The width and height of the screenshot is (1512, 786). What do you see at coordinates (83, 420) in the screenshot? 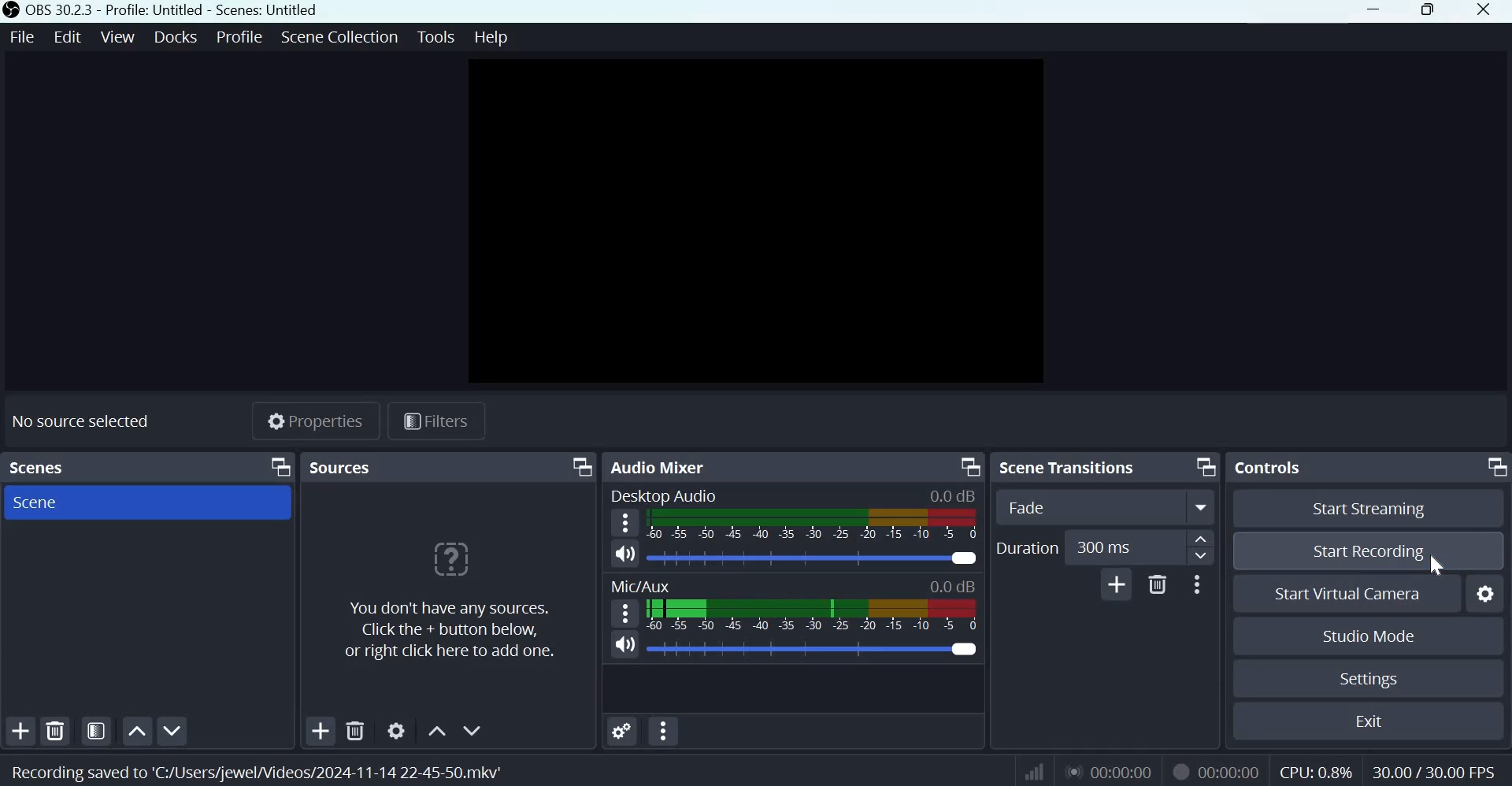
I see `No sources selected` at bounding box center [83, 420].